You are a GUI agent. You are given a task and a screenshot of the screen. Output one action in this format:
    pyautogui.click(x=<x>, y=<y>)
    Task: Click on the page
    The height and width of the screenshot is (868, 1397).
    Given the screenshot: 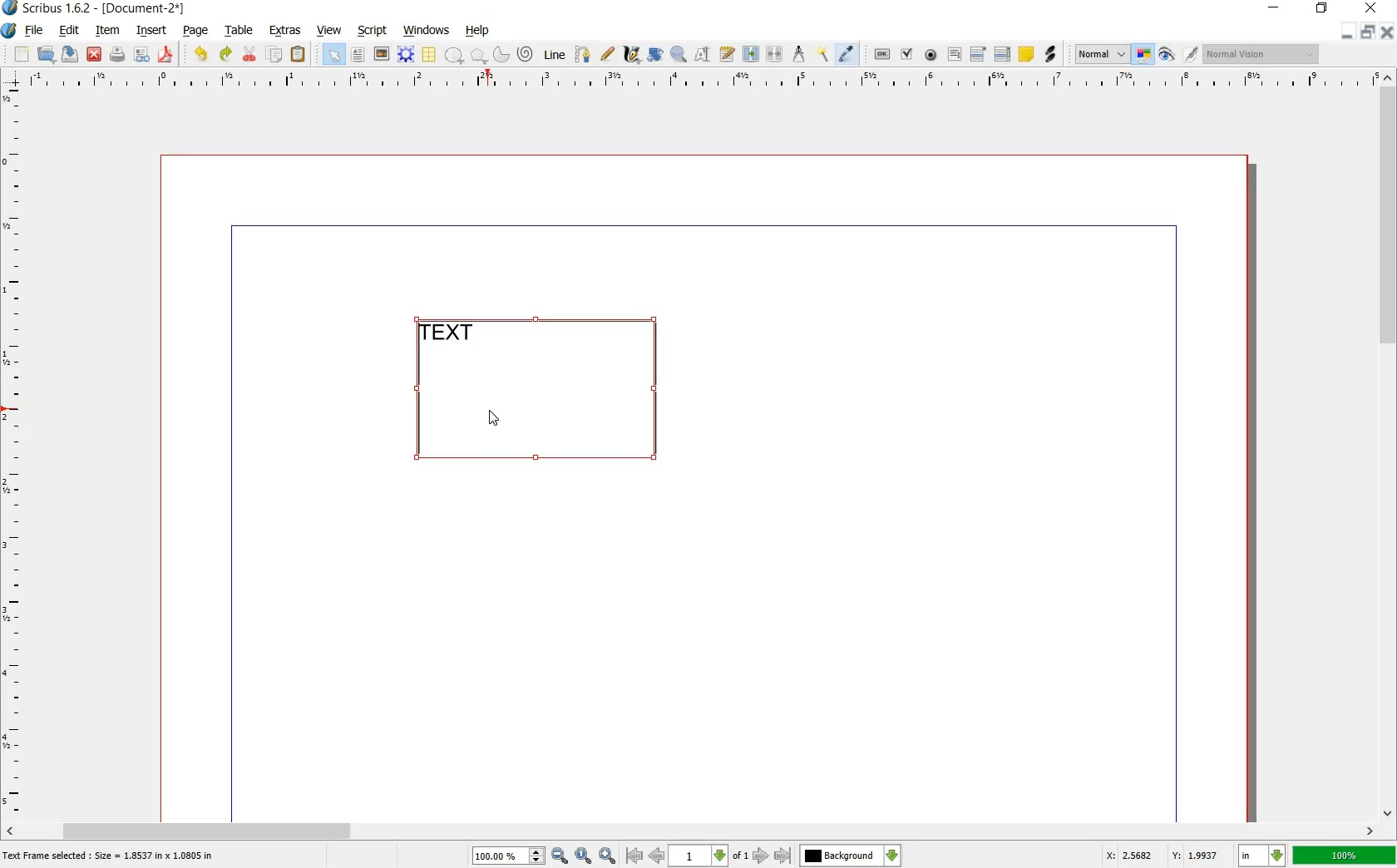 What is the action you would take?
    pyautogui.click(x=196, y=32)
    